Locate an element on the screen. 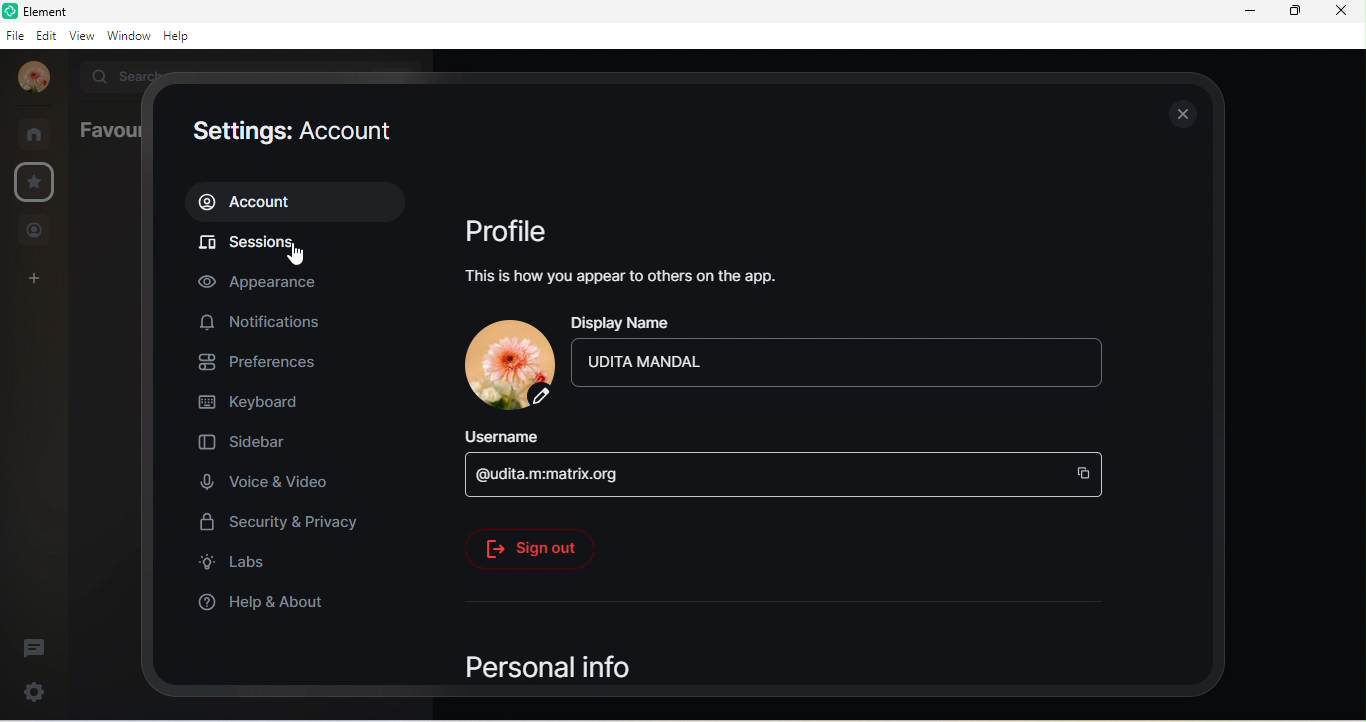 The height and width of the screenshot is (722, 1366). this is how you appear to others on the app is located at coordinates (631, 275).